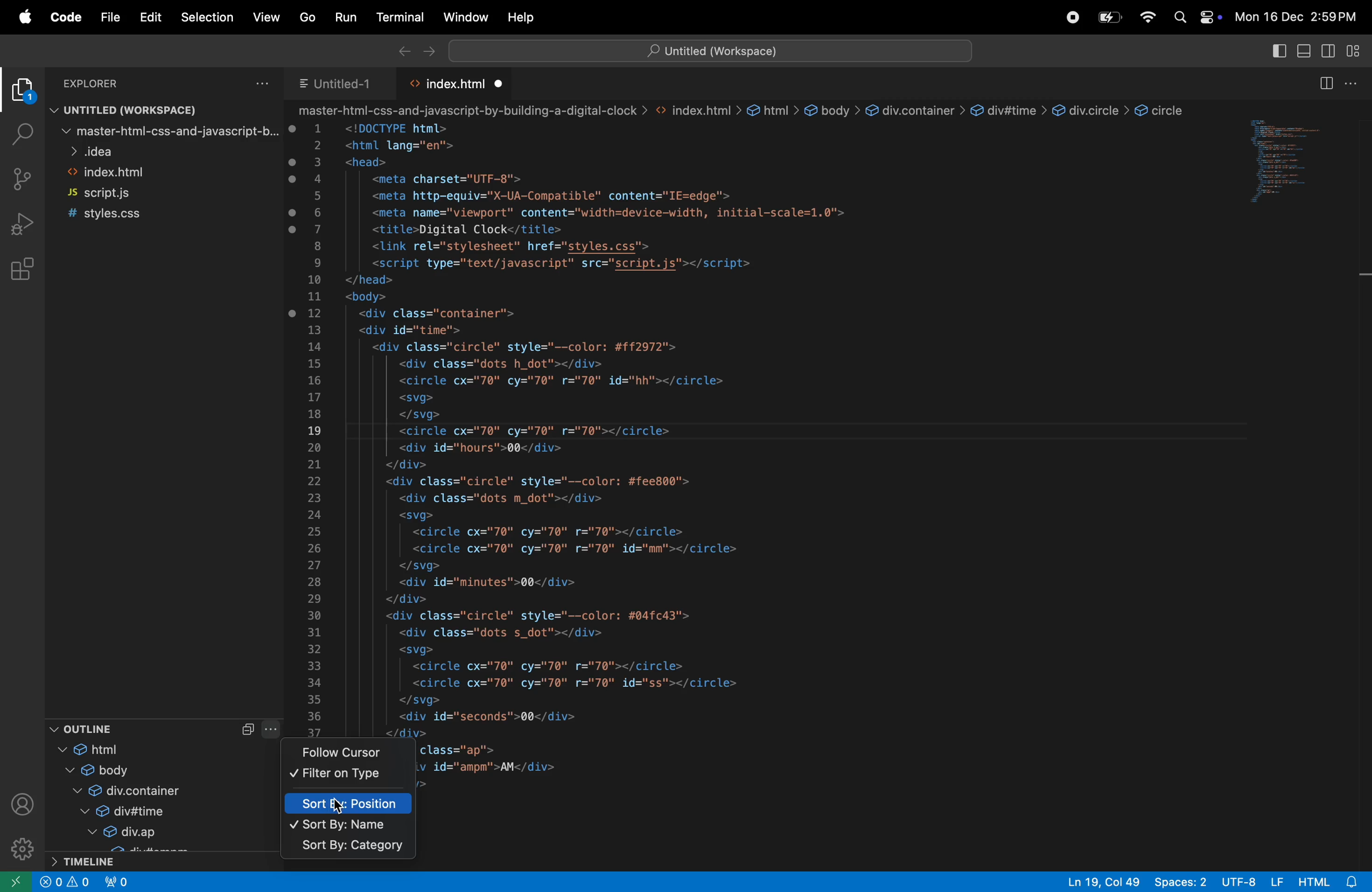  Describe the element at coordinates (710, 50) in the screenshot. I see `untitled workspace` at that location.